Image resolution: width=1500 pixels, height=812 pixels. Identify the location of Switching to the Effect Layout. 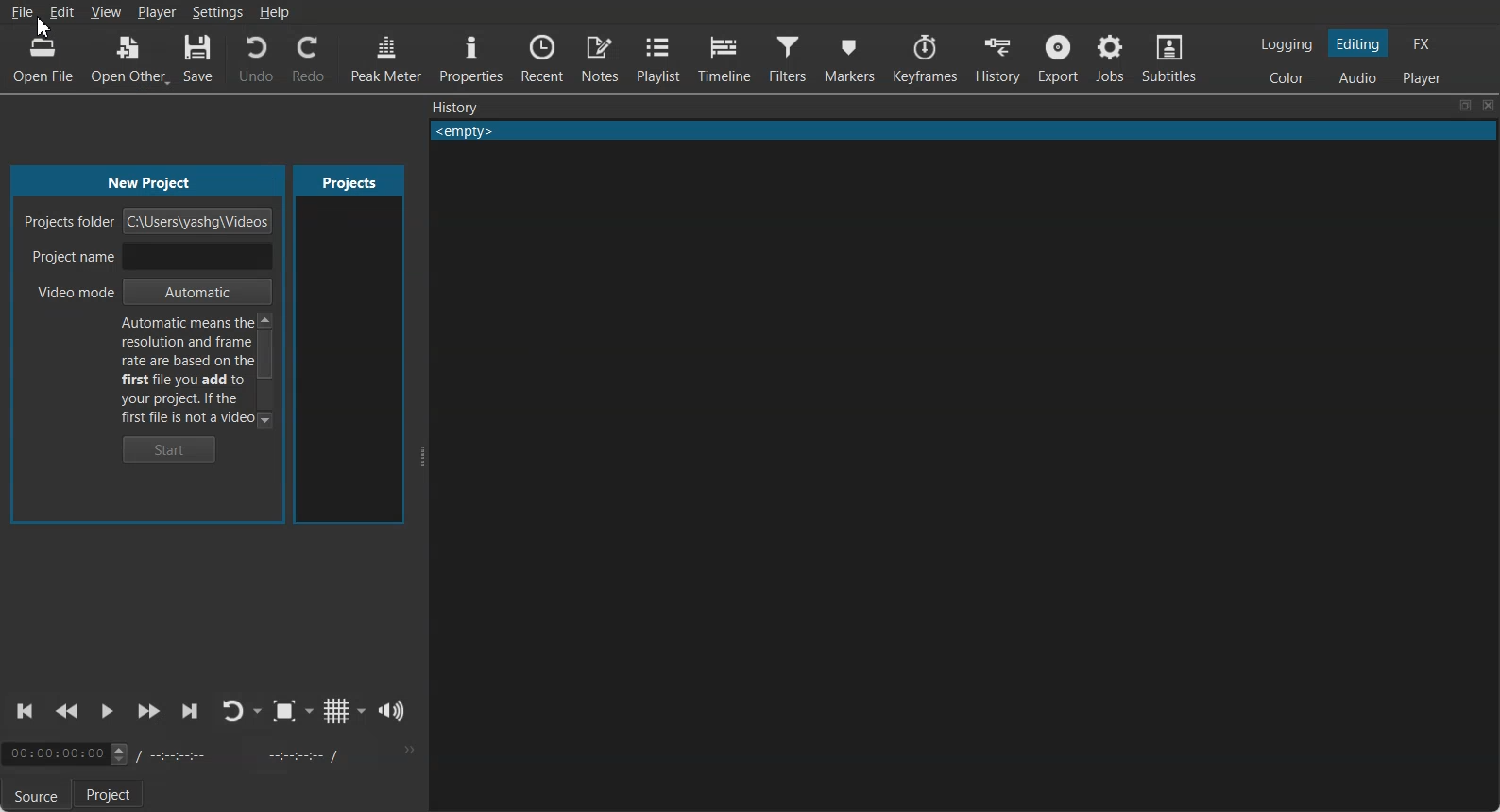
(1421, 42).